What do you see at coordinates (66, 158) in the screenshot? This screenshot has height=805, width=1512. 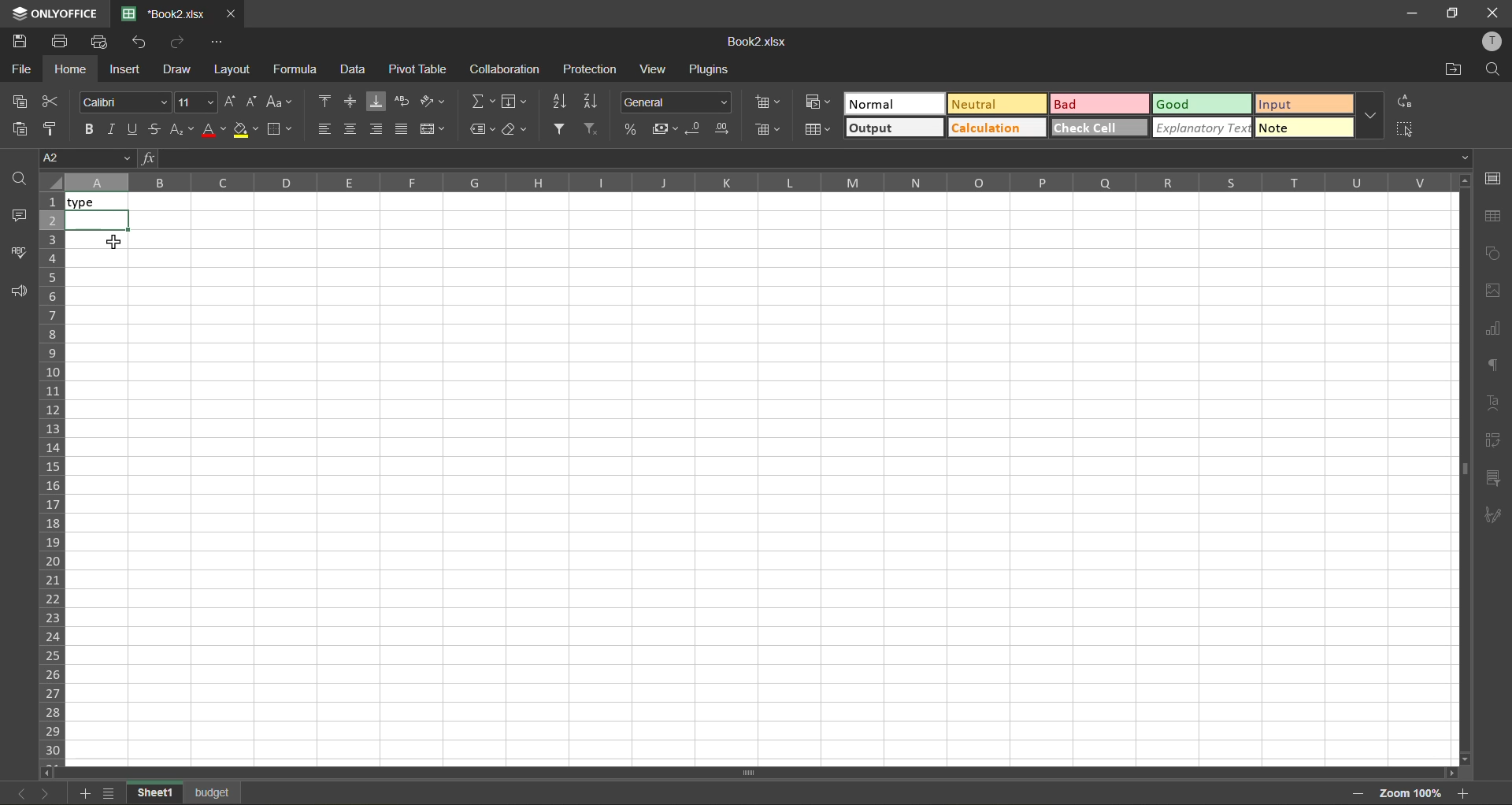 I see `cell address changed` at bounding box center [66, 158].